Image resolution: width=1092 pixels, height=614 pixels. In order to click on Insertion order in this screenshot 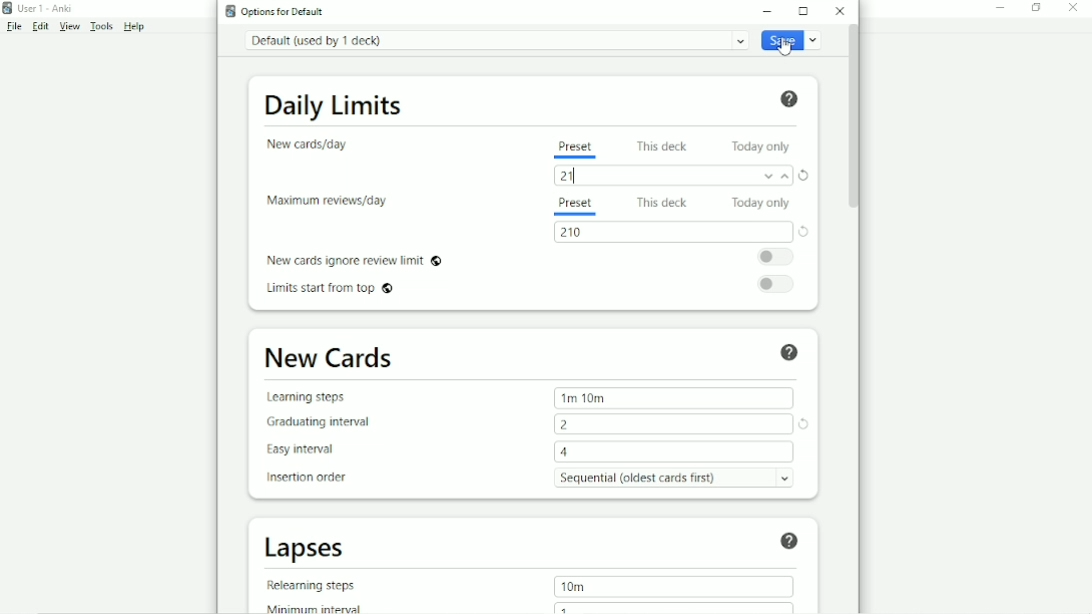, I will do `click(308, 478)`.